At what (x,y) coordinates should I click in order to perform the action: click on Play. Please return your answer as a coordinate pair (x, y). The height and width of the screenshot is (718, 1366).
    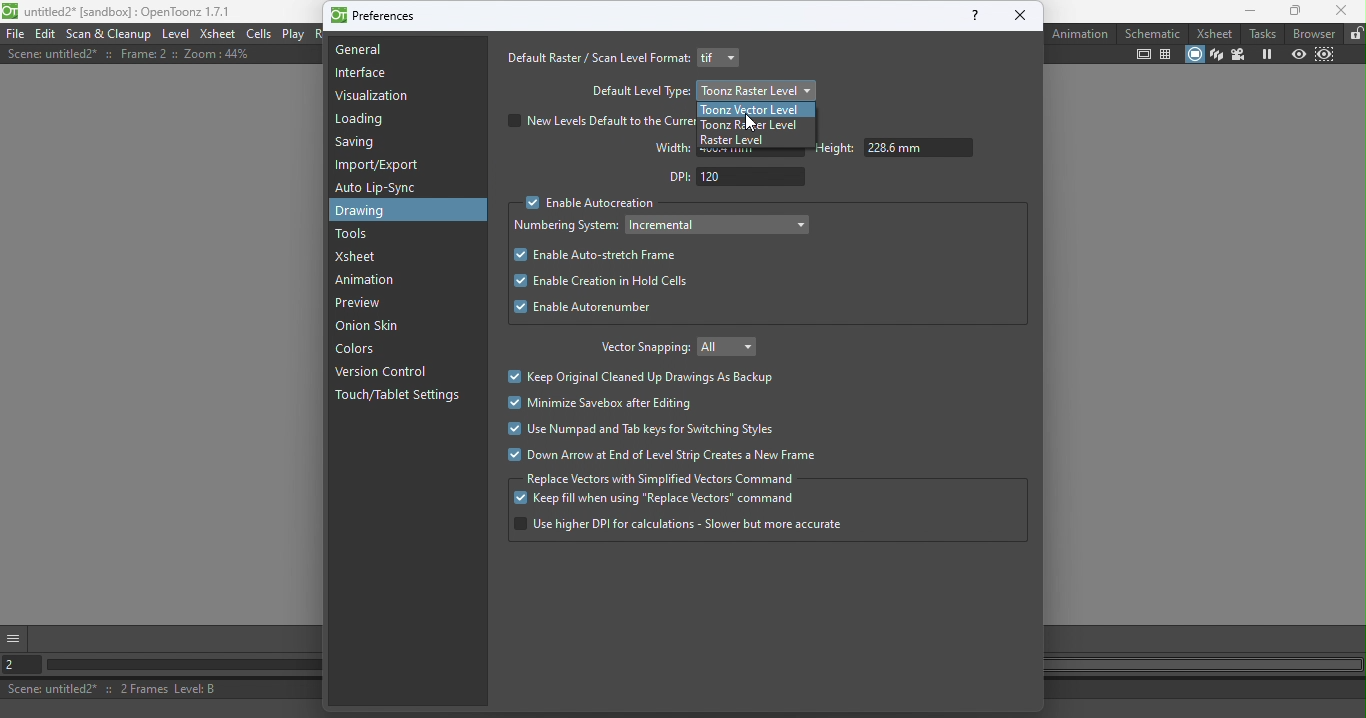
    Looking at the image, I should click on (293, 34).